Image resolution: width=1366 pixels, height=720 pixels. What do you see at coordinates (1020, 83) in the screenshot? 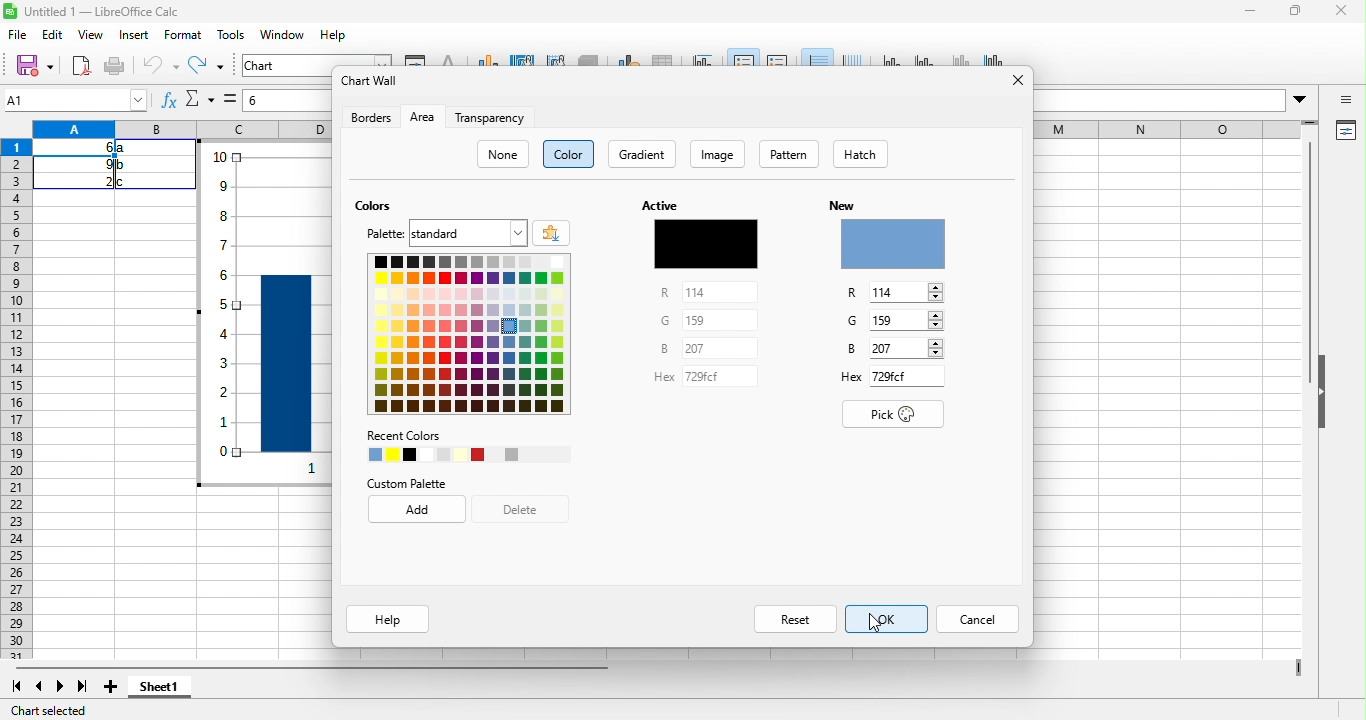
I see `close` at bounding box center [1020, 83].